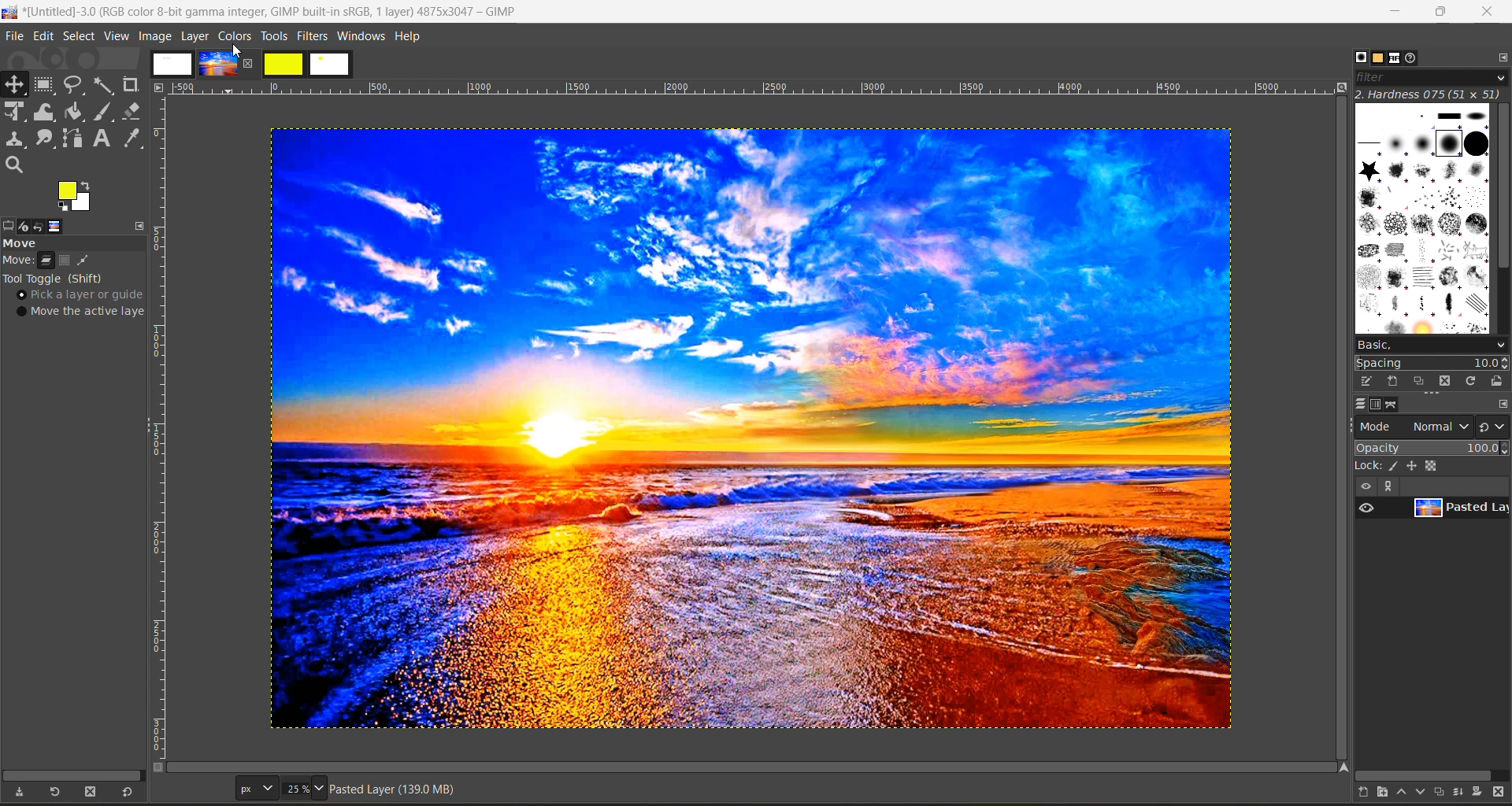 This screenshot has width=1512, height=806. What do you see at coordinates (235, 35) in the screenshot?
I see `colors` at bounding box center [235, 35].